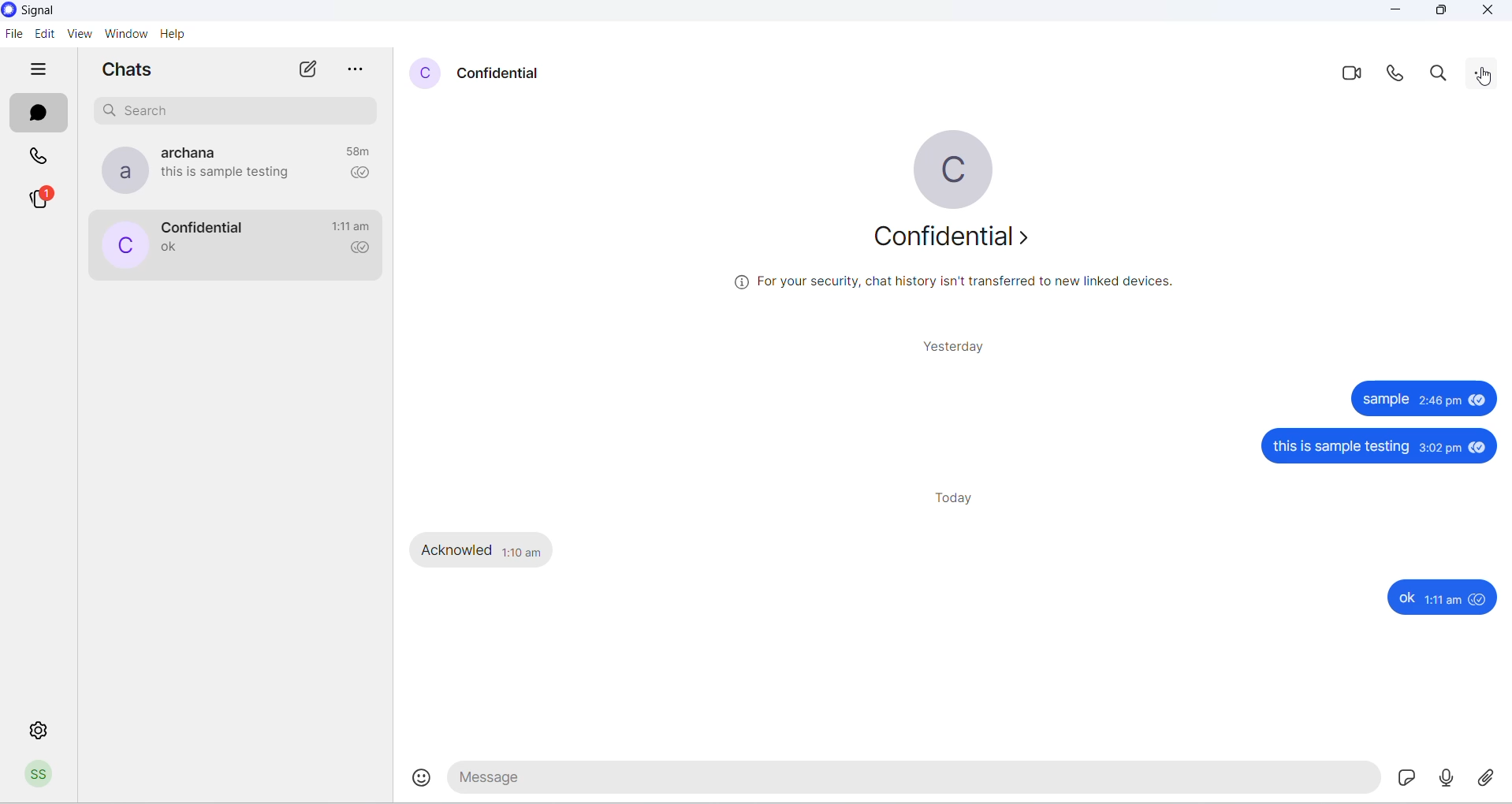  I want to click on window, so click(125, 34).